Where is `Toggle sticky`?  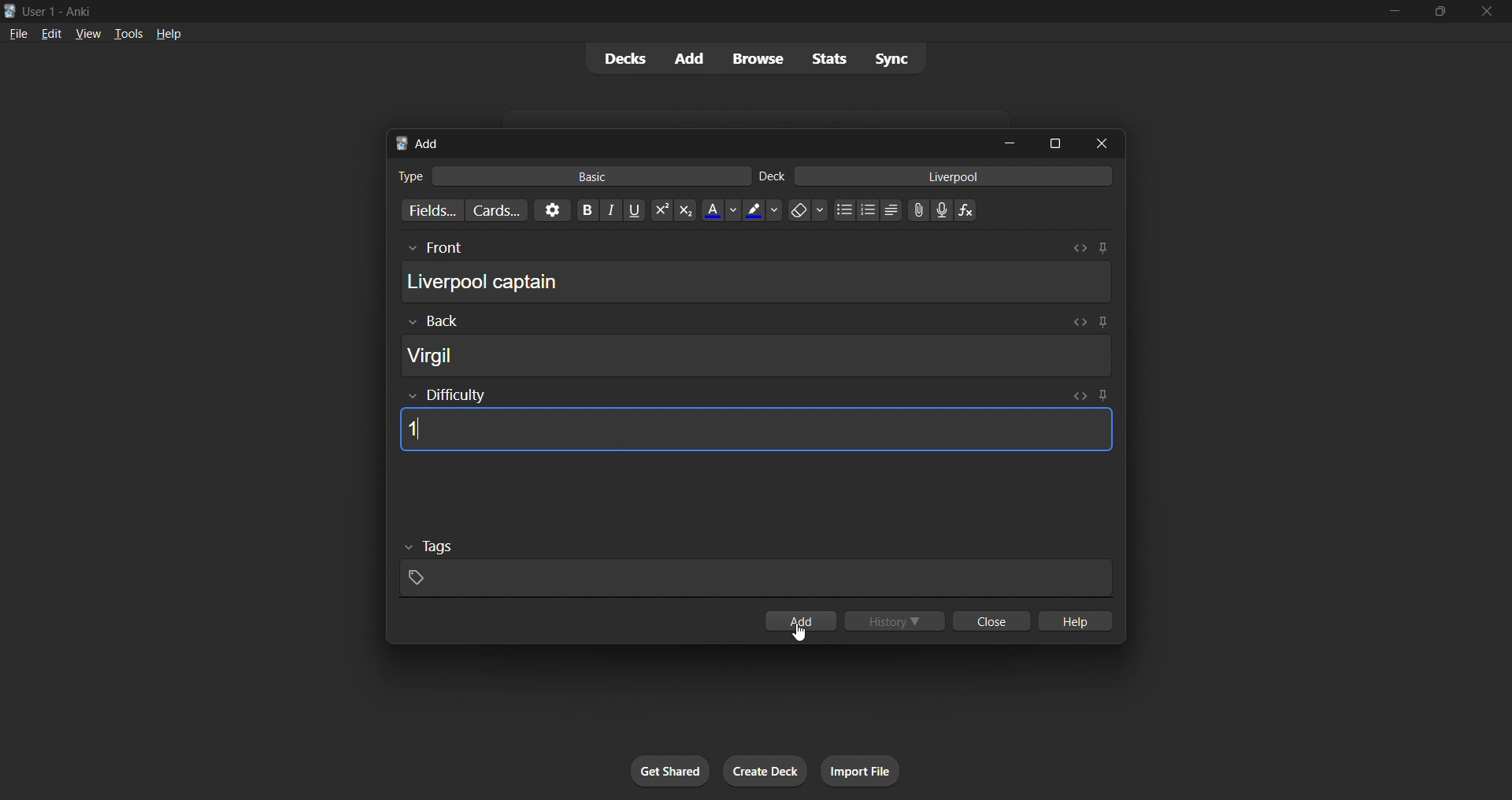 Toggle sticky is located at coordinates (1102, 248).